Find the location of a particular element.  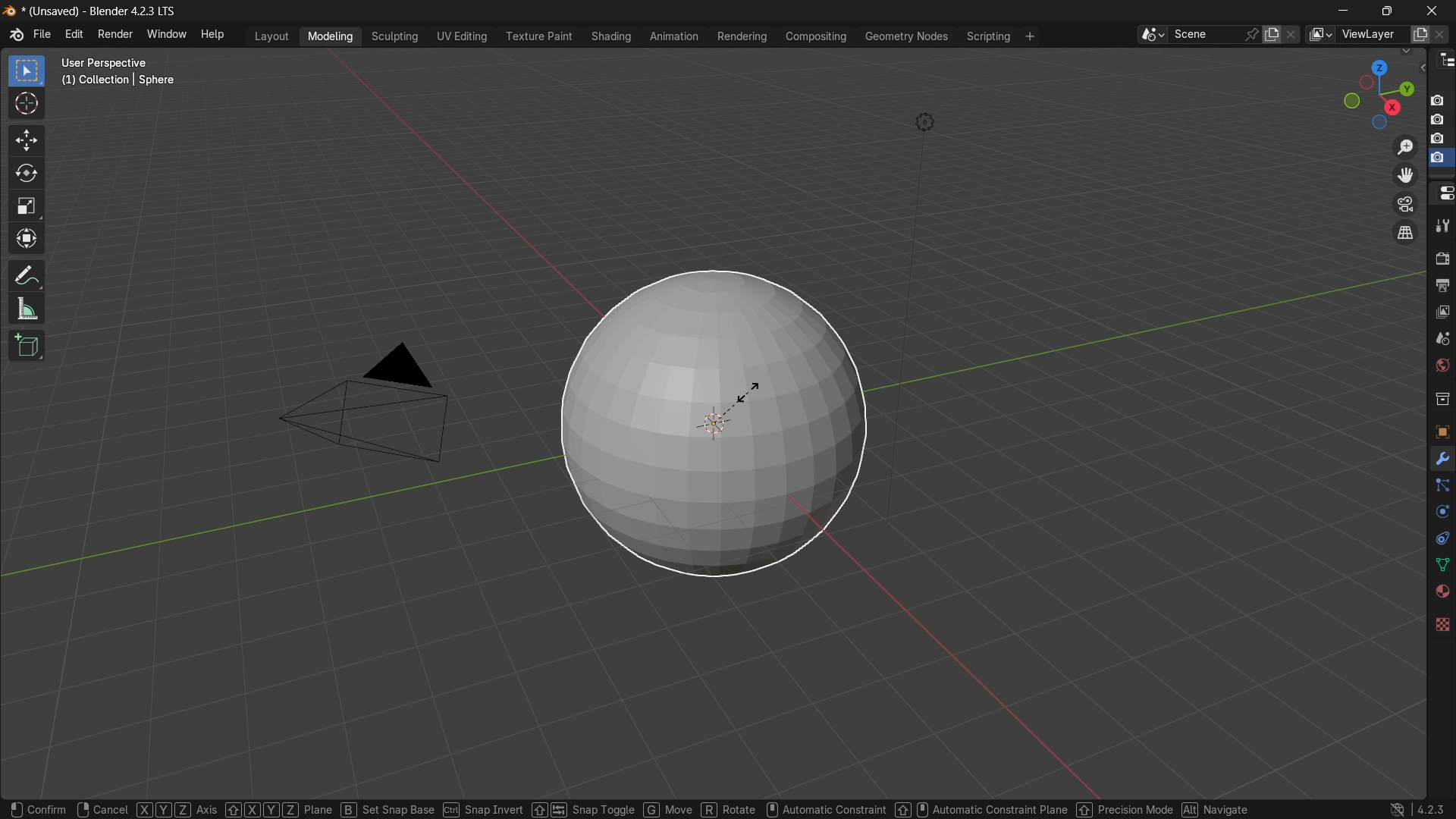

rendering menu is located at coordinates (743, 36).